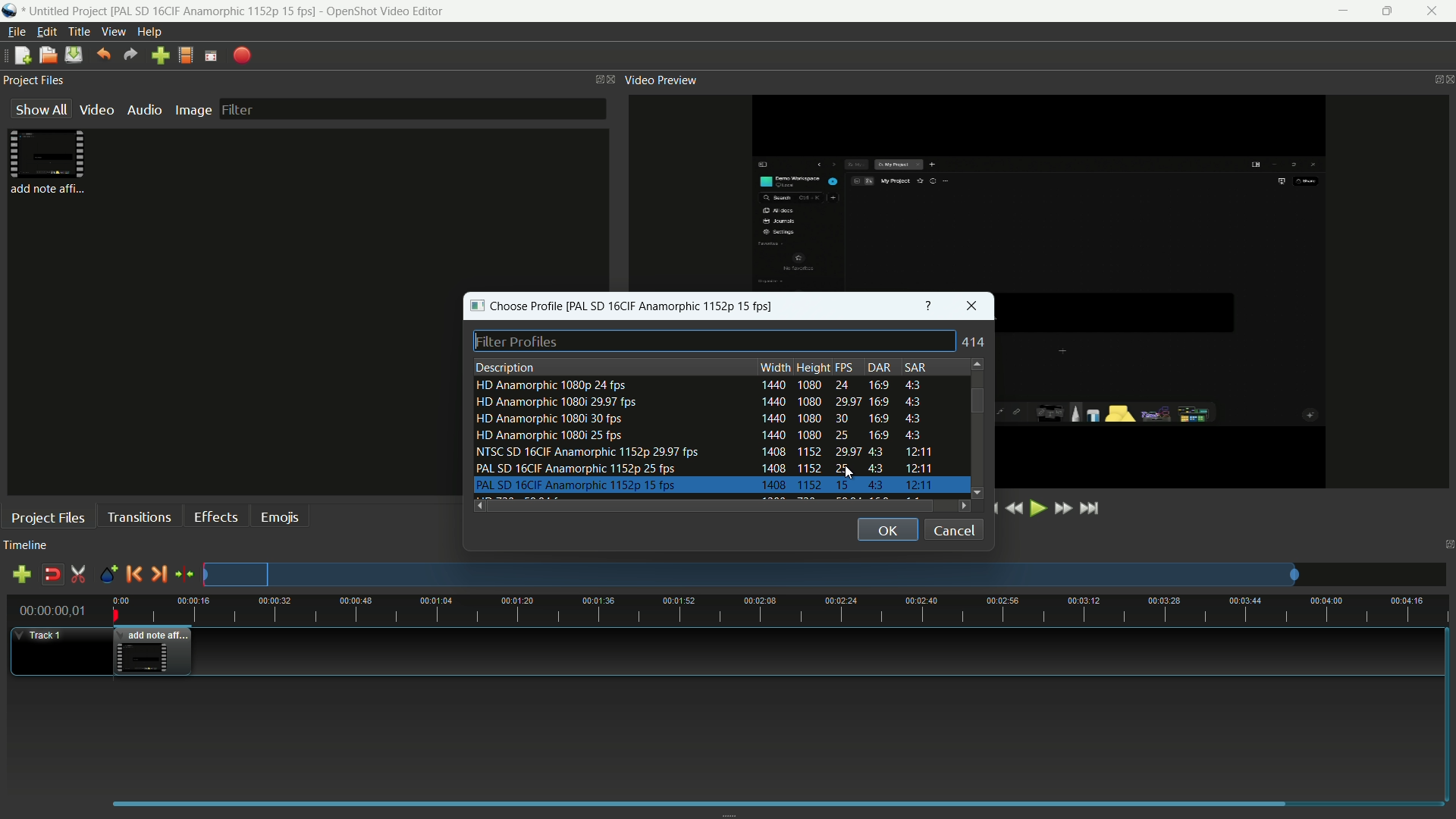 The width and height of the screenshot is (1456, 819). I want to click on profile, so click(187, 55).